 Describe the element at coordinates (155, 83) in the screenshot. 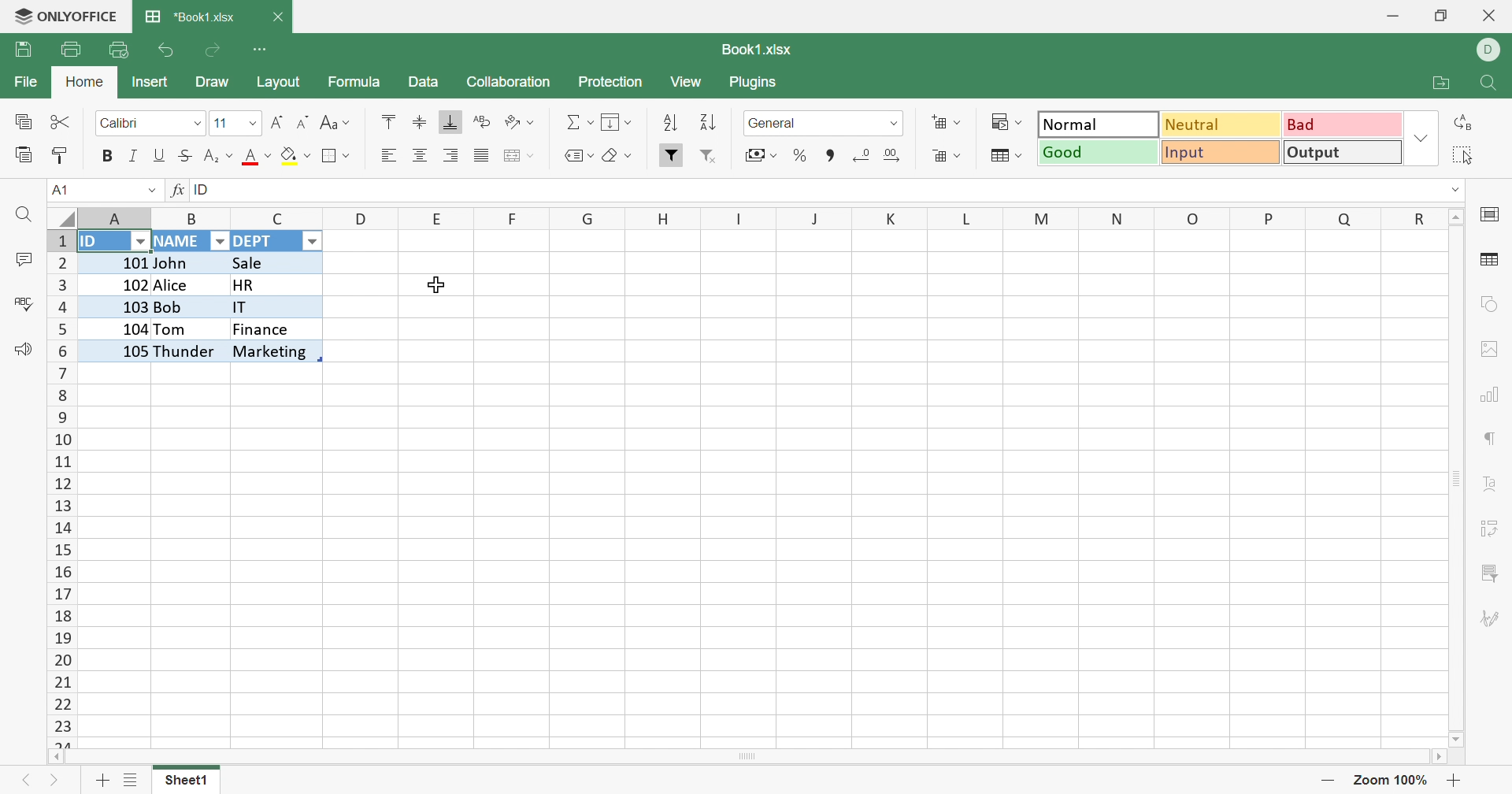

I see `Insert` at that location.